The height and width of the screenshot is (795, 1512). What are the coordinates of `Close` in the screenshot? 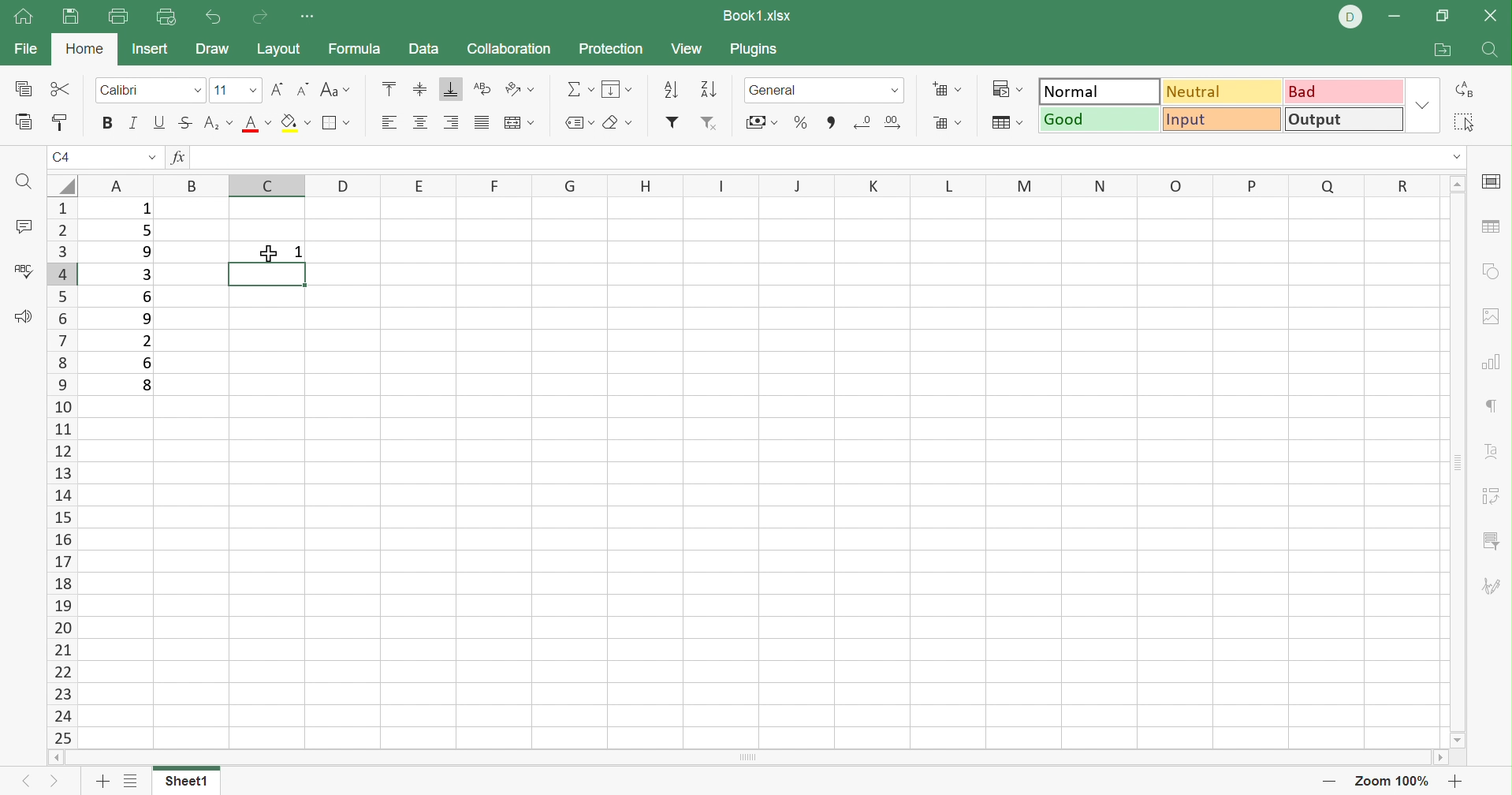 It's located at (1492, 17).